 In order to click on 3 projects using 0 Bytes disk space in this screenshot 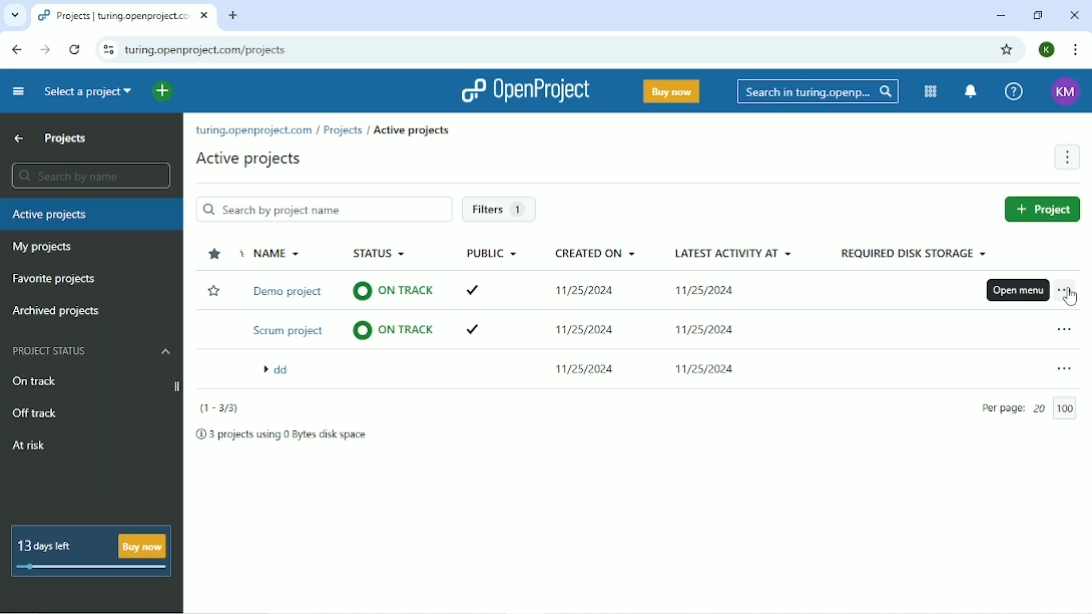, I will do `click(282, 434)`.